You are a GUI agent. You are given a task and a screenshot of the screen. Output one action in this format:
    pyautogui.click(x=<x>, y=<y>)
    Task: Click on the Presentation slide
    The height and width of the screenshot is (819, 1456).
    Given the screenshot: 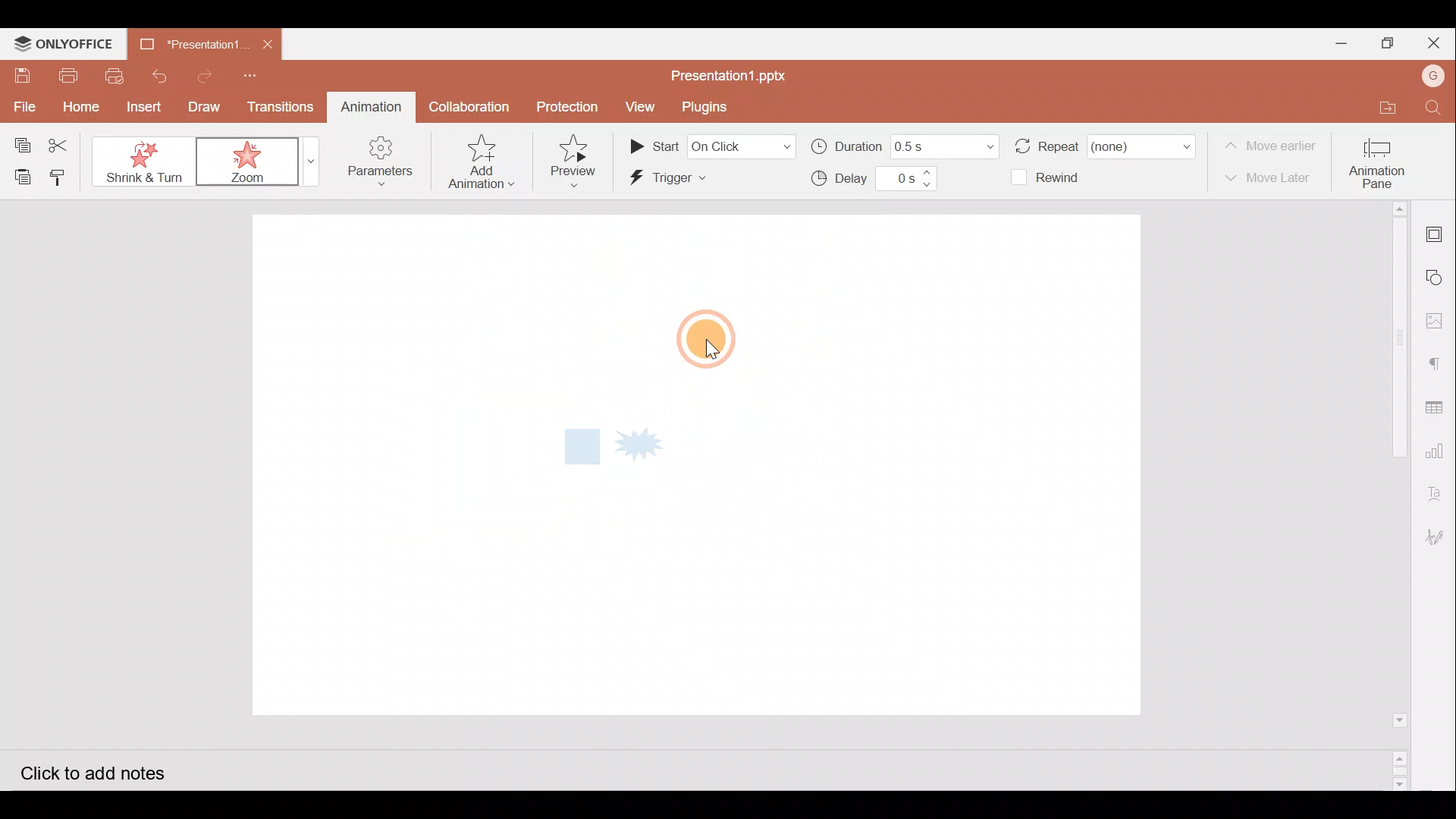 What is the action you would take?
    pyautogui.click(x=959, y=467)
    